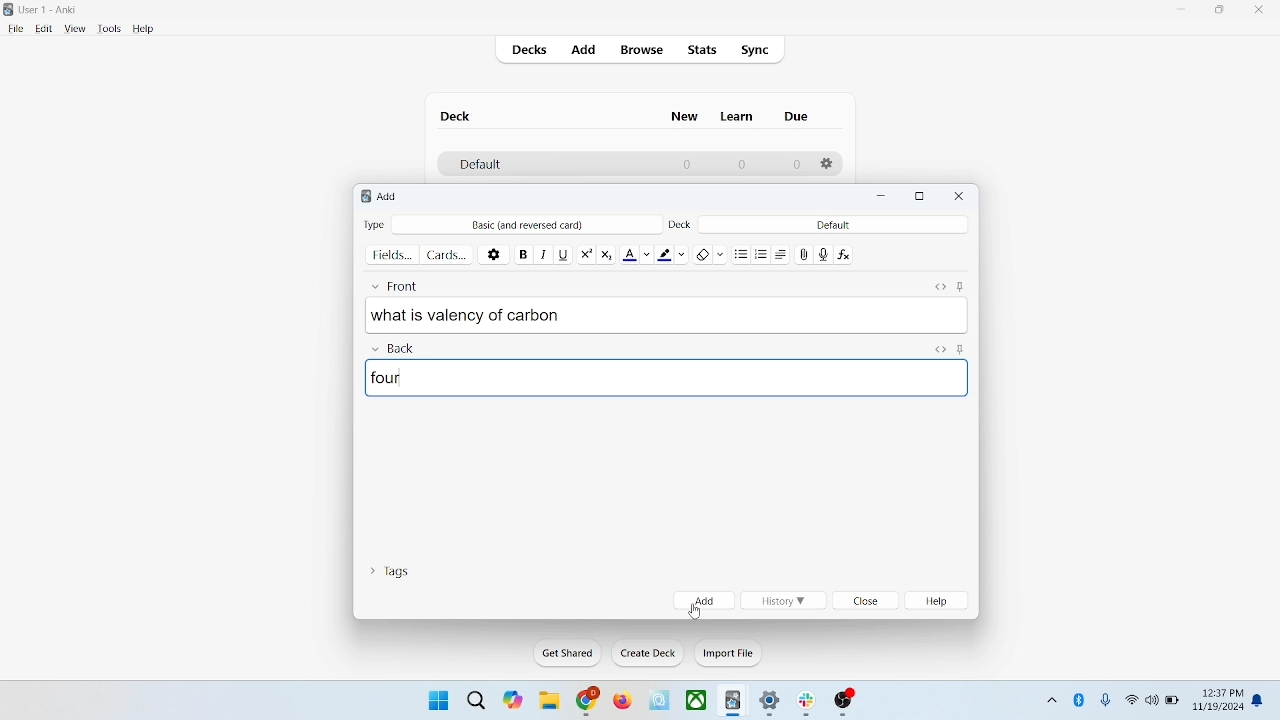  Describe the element at coordinates (786, 254) in the screenshot. I see `alignment` at that location.